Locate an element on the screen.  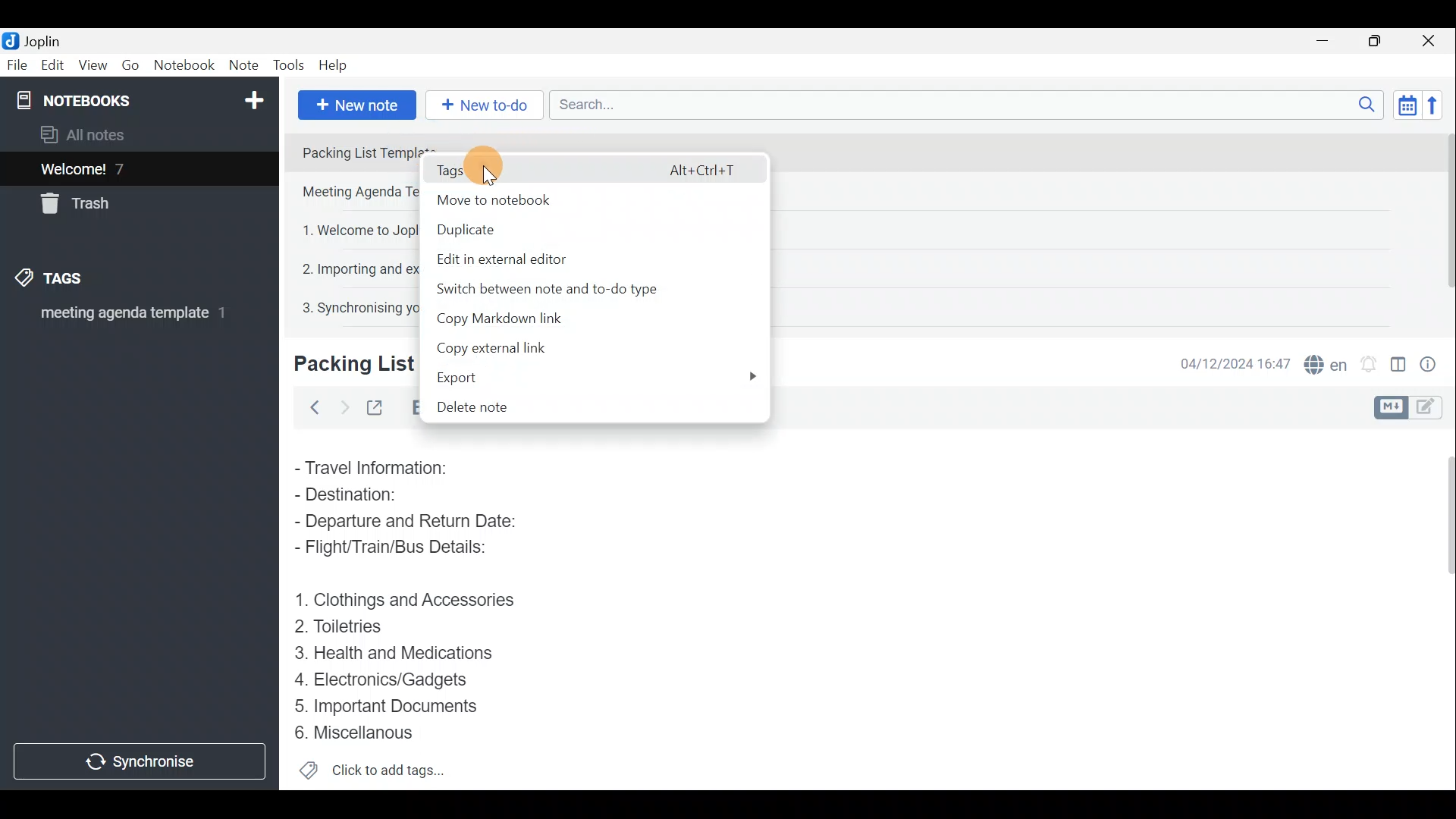
Minimise is located at coordinates (1330, 43).